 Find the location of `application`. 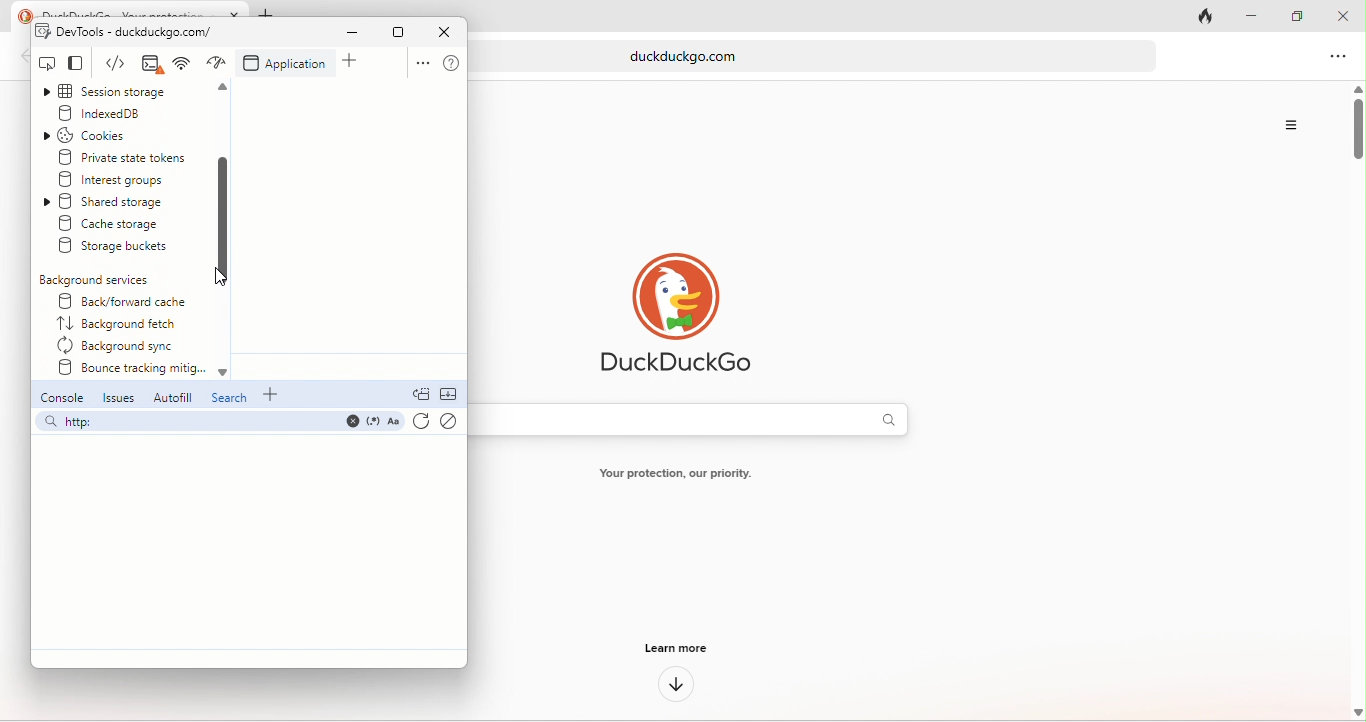

application is located at coordinates (286, 64).